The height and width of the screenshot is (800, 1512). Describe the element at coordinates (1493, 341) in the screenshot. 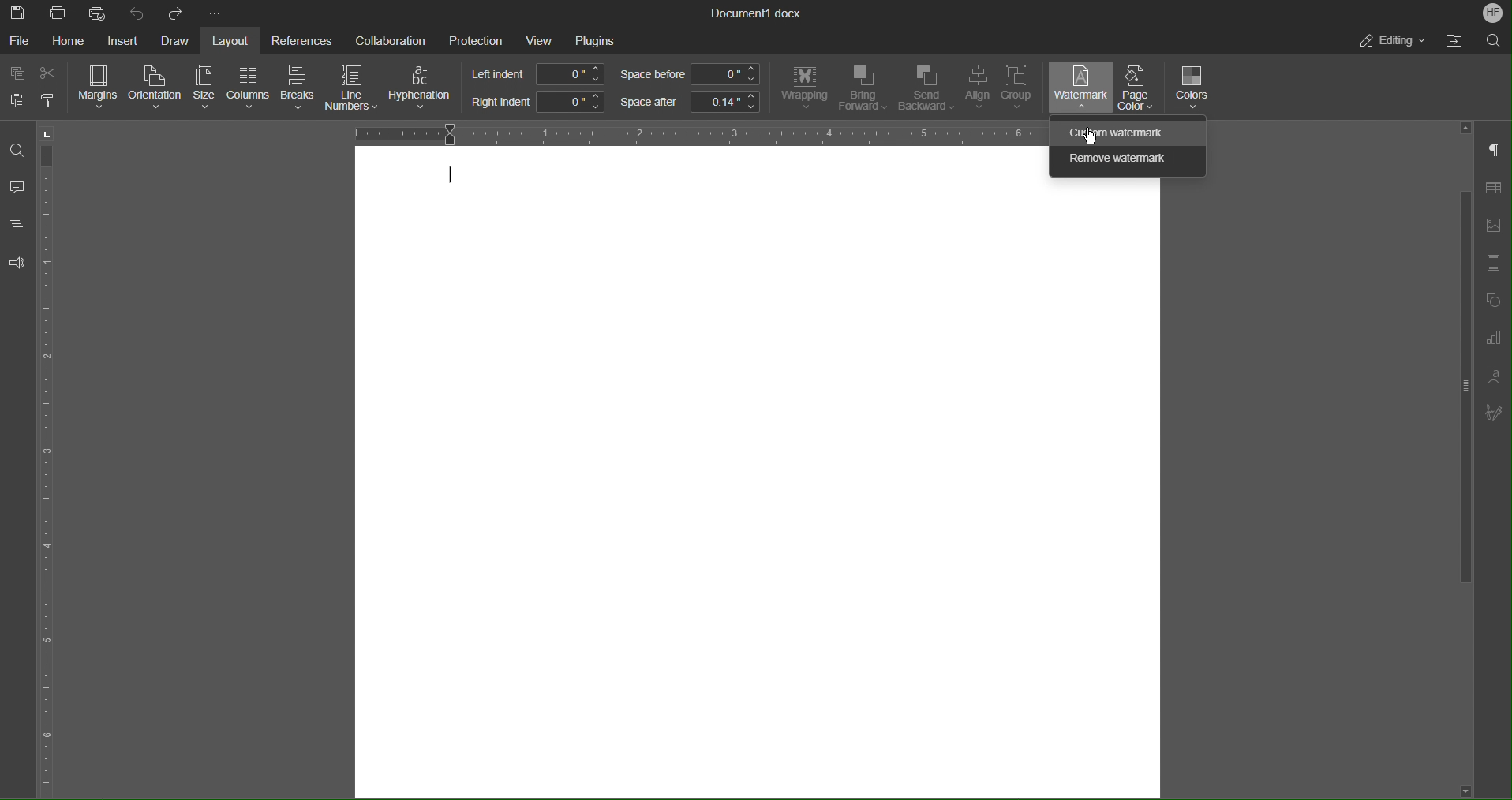

I see `Graph Settings` at that location.